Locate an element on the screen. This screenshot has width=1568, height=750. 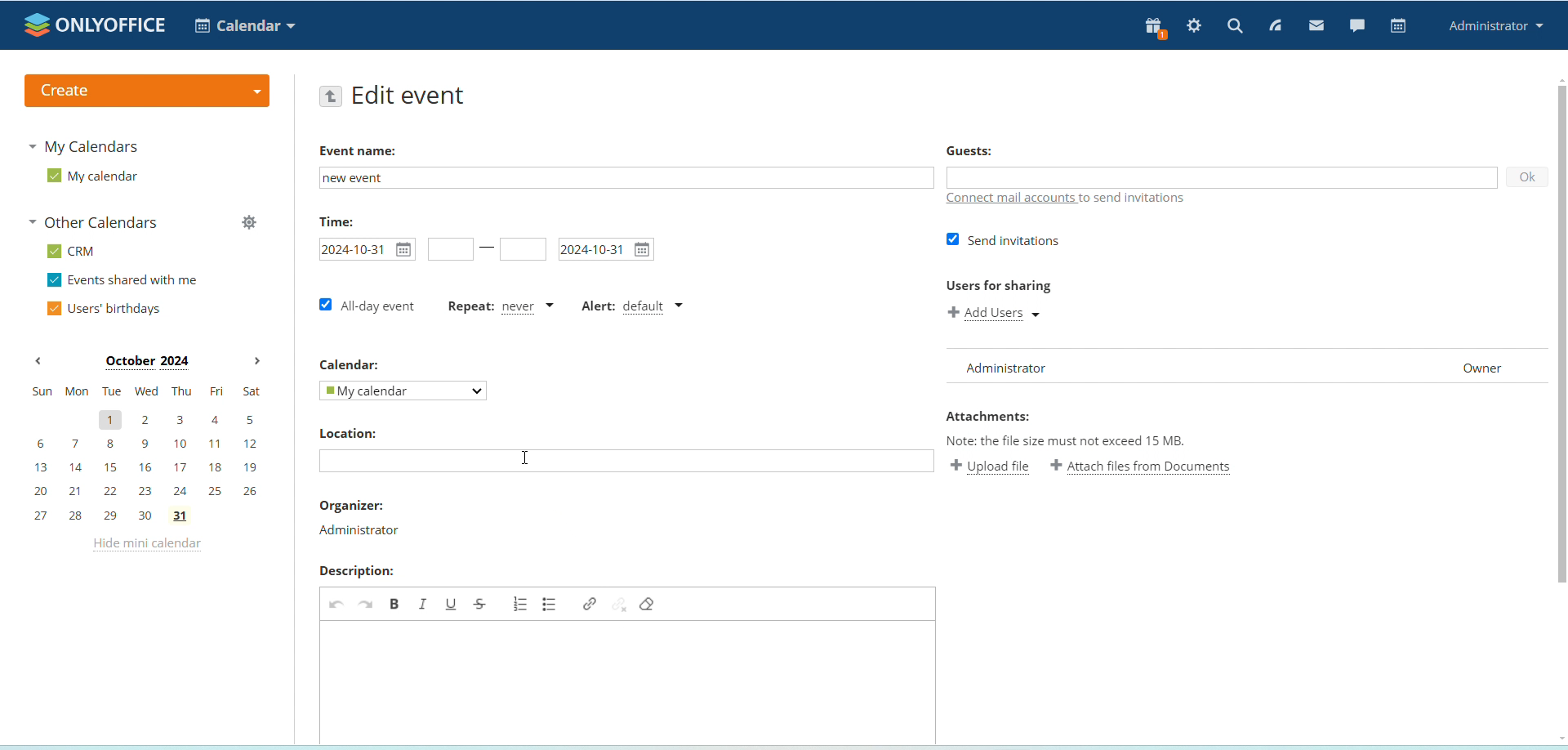
scrollbar is located at coordinates (1561, 336).